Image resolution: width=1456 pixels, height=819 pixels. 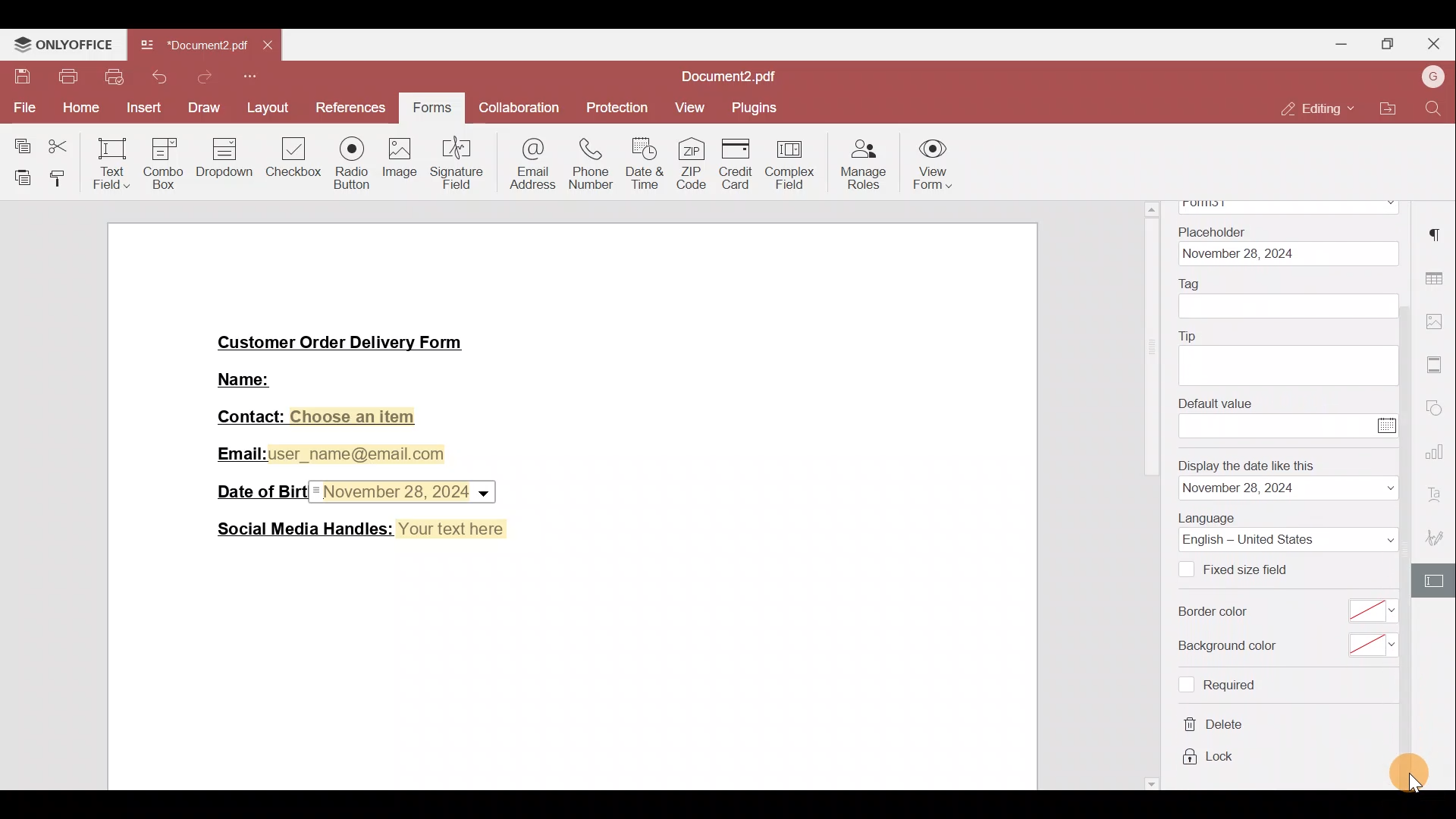 What do you see at coordinates (1228, 685) in the screenshot?
I see `required` at bounding box center [1228, 685].